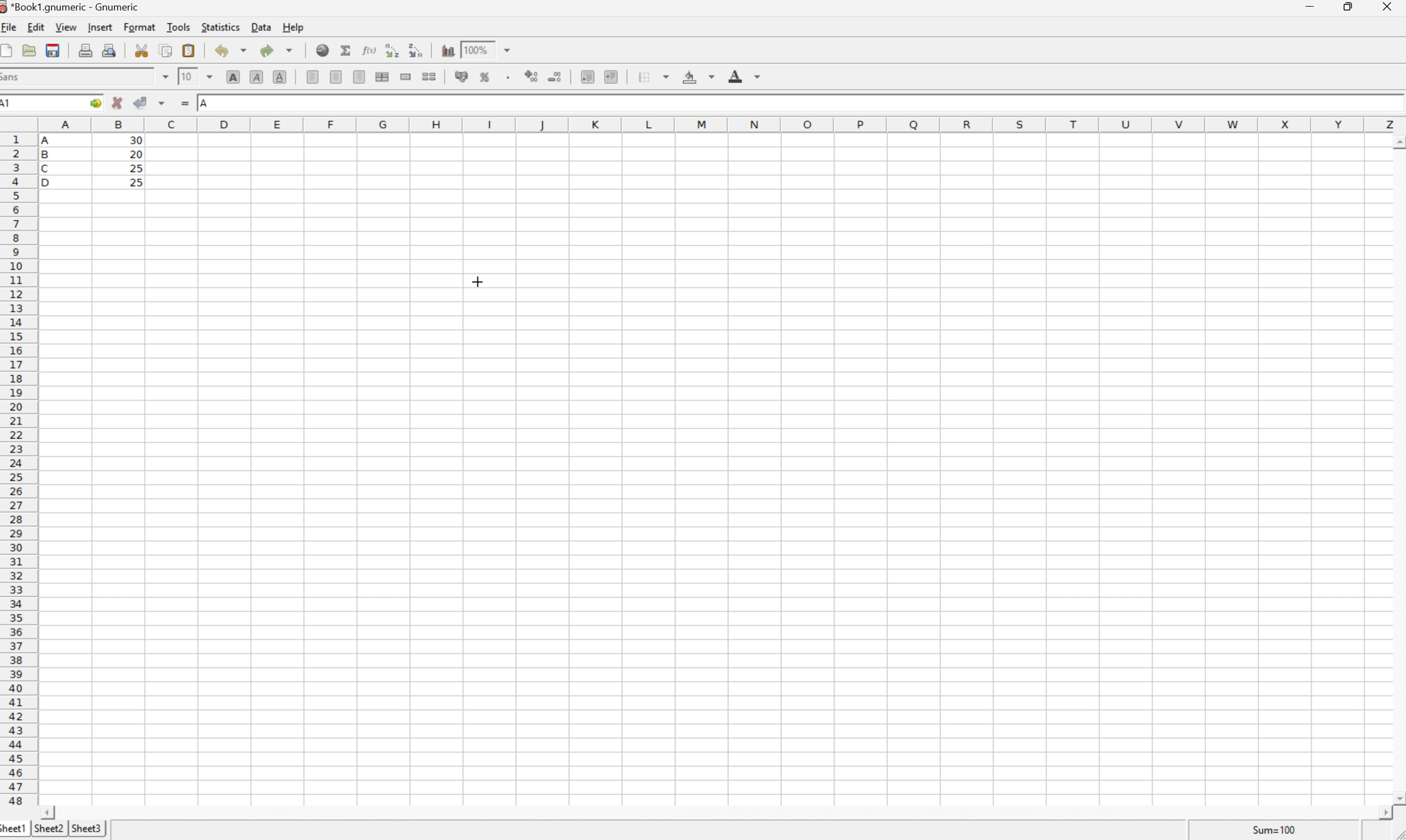 This screenshot has width=1406, height=840. Describe the element at coordinates (185, 102) in the screenshot. I see `Enter formula` at that location.